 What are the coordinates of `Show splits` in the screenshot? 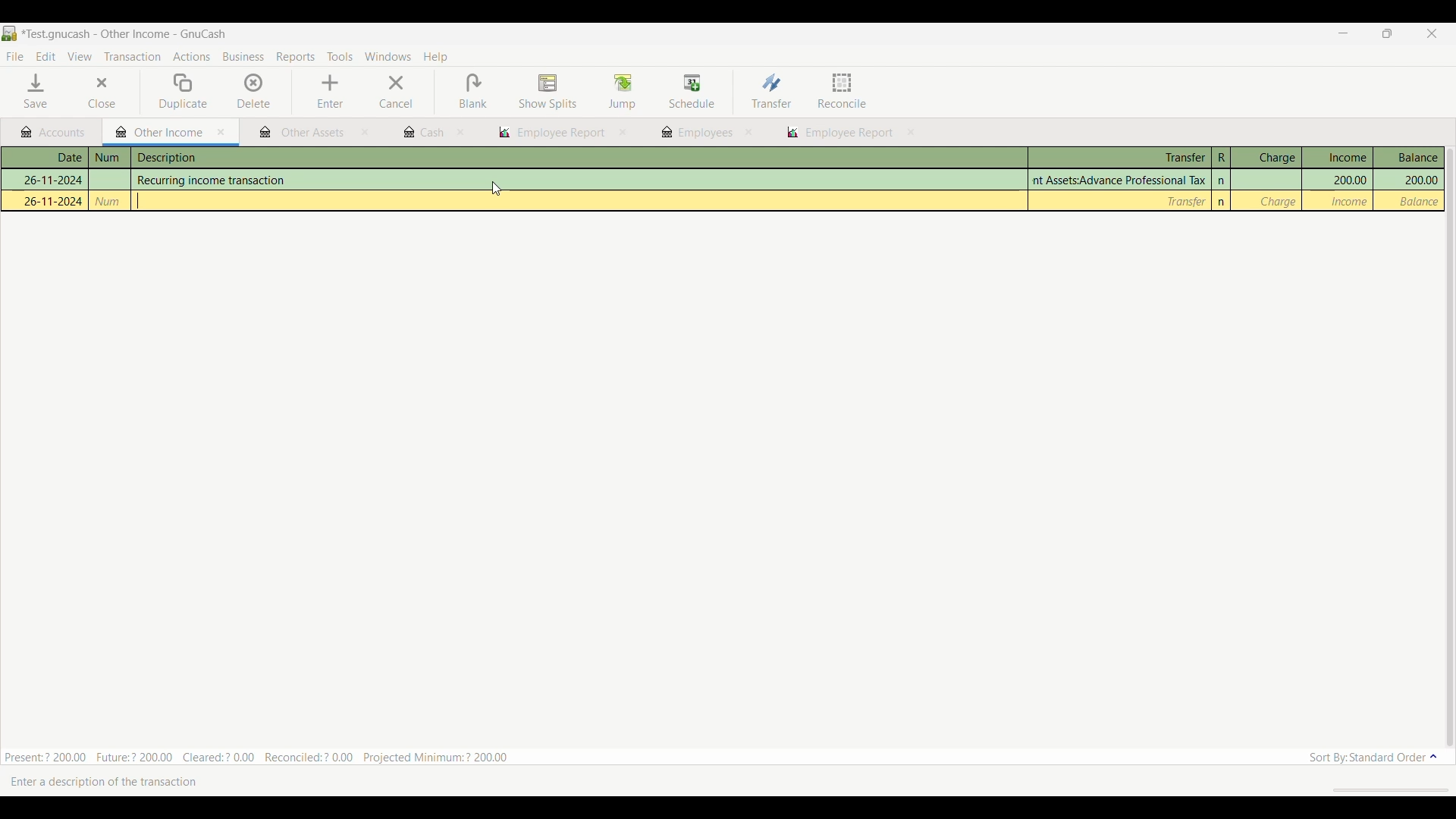 It's located at (548, 93).